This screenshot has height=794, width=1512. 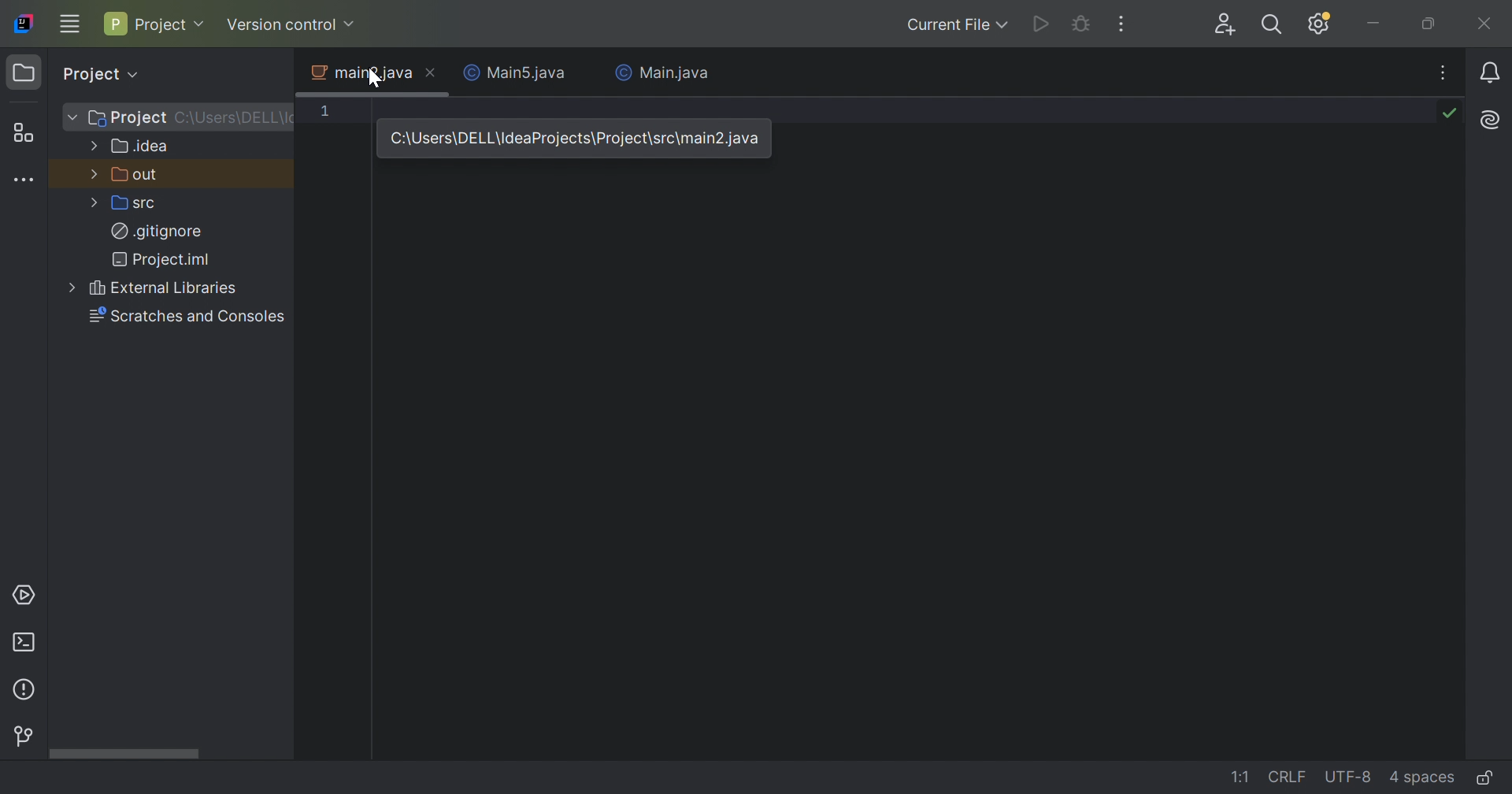 What do you see at coordinates (1240, 776) in the screenshot?
I see `1:!` at bounding box center [1240, 776].